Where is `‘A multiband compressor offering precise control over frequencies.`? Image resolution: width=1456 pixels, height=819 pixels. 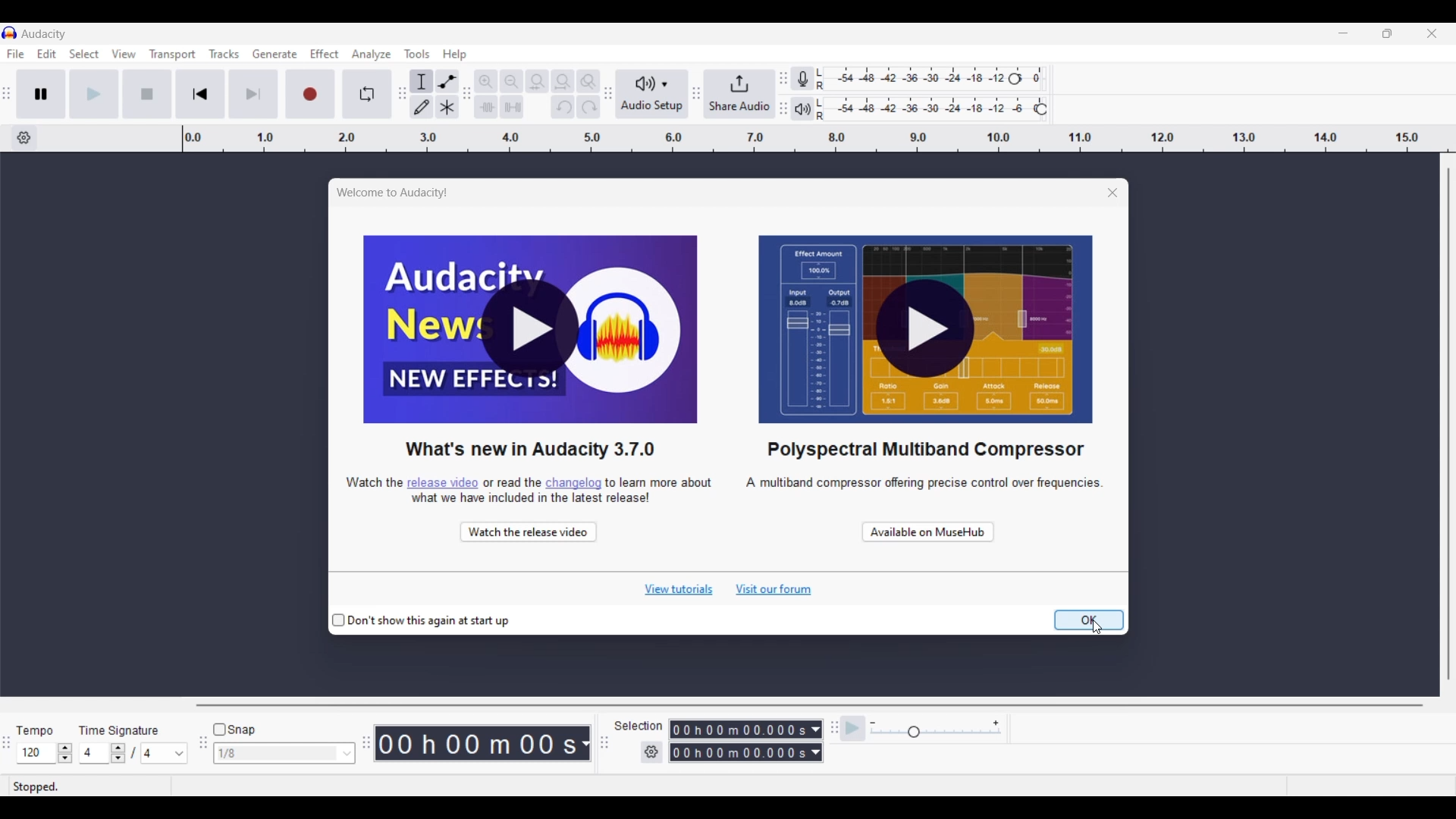
‘A multiband compressor offering precise control over frequencies. is located at coordinates (912, 491).